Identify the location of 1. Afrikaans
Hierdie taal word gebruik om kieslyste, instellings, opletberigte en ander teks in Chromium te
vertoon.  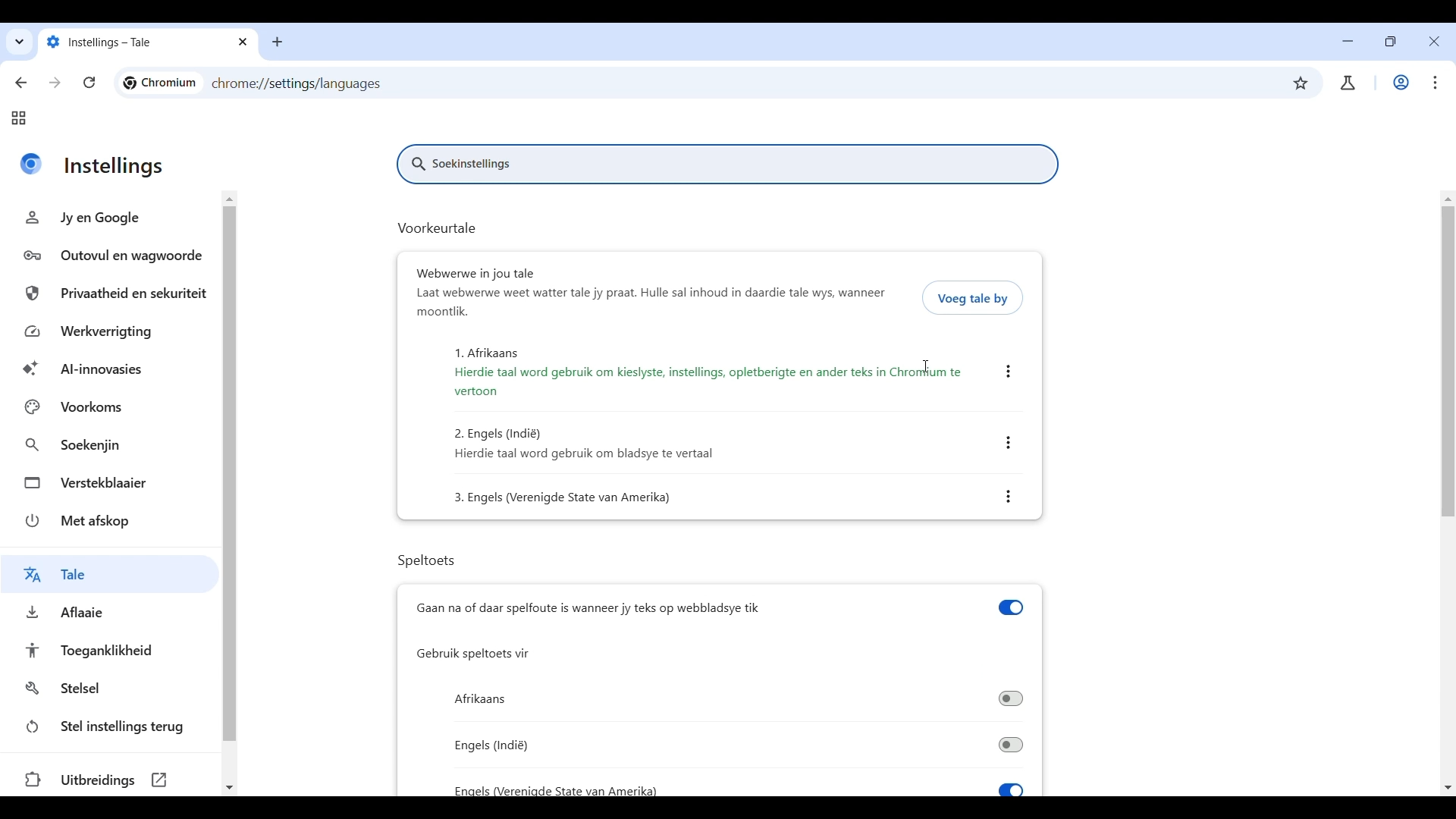
(709, 372).